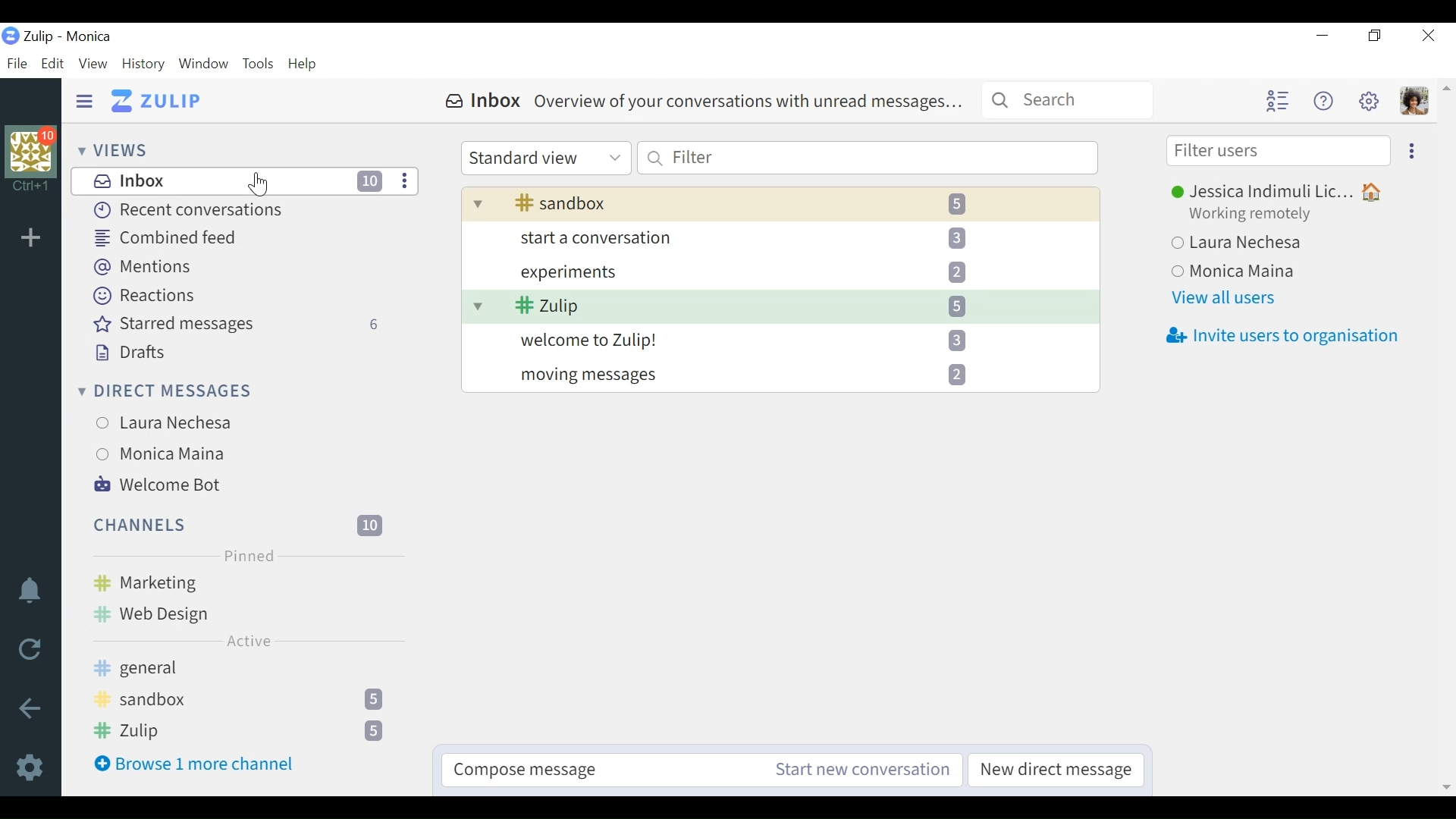 The width and height of the screenshot is (1456, 819). Describe the element at coordinates (259, 186) in the screenshot. I see `Cursor` at that location.